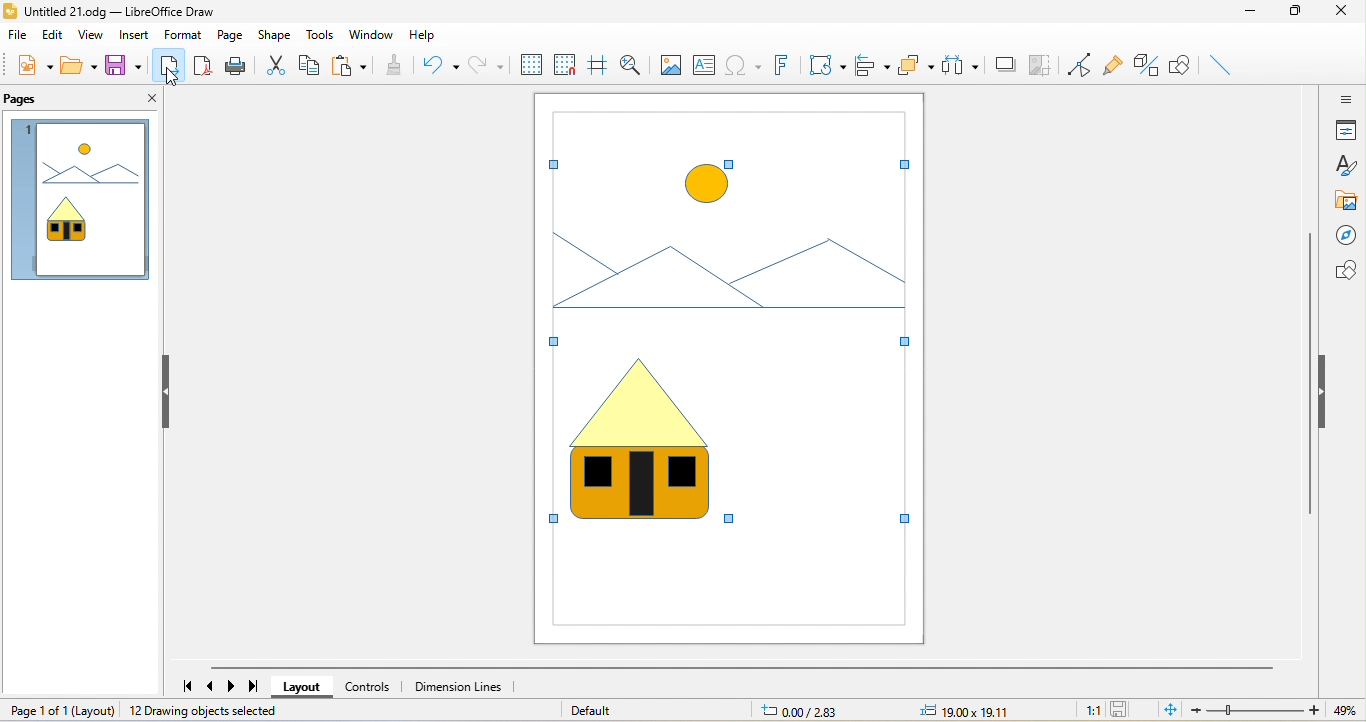  What do you see at coordinates (184, 36) in the screenshot?
I see `format` at bounding box center [184, 36].